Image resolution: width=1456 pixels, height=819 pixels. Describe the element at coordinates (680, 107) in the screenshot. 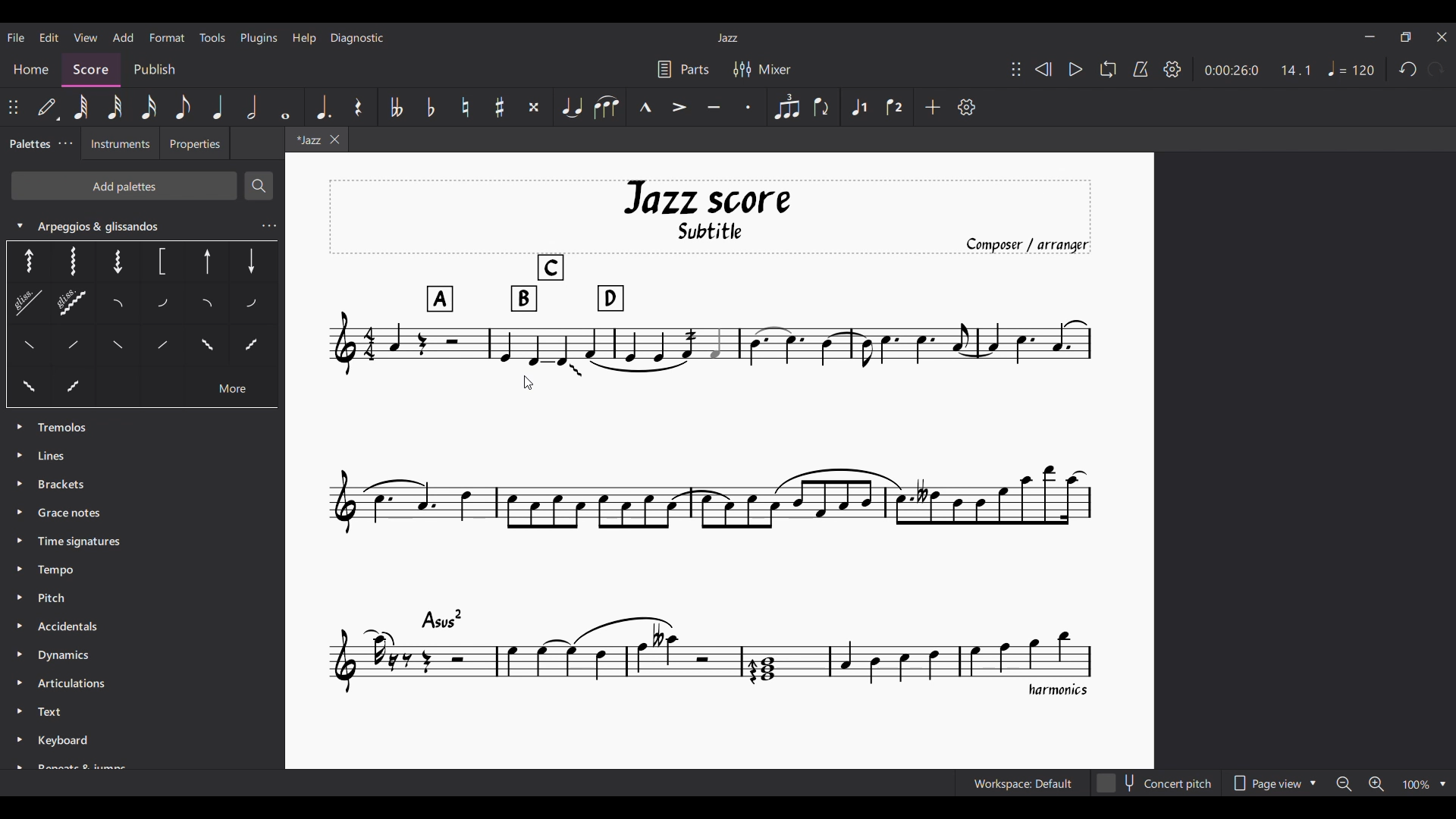

I see `Accent` at that location.